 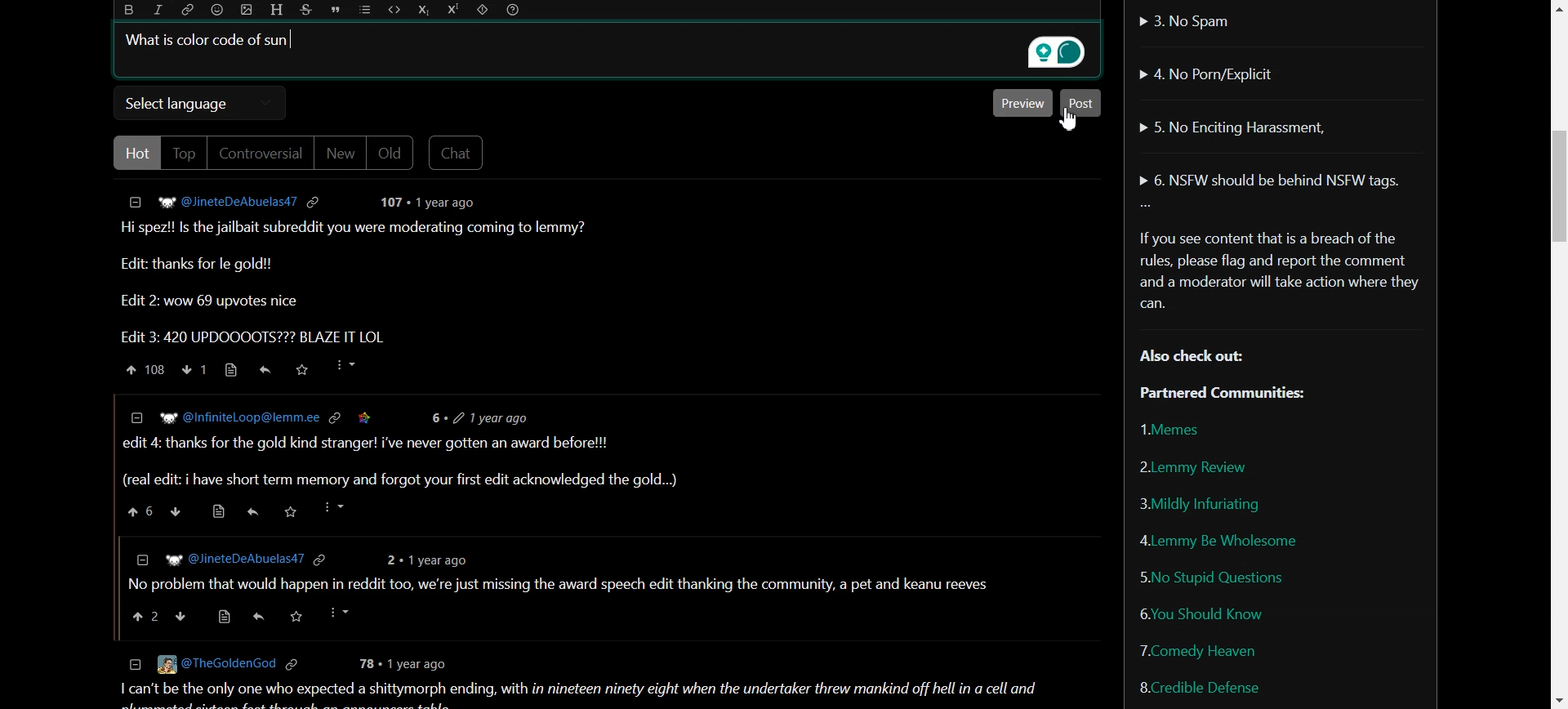 I want to click on 6+ 2 1vear ago, so click(x=493, y=417).